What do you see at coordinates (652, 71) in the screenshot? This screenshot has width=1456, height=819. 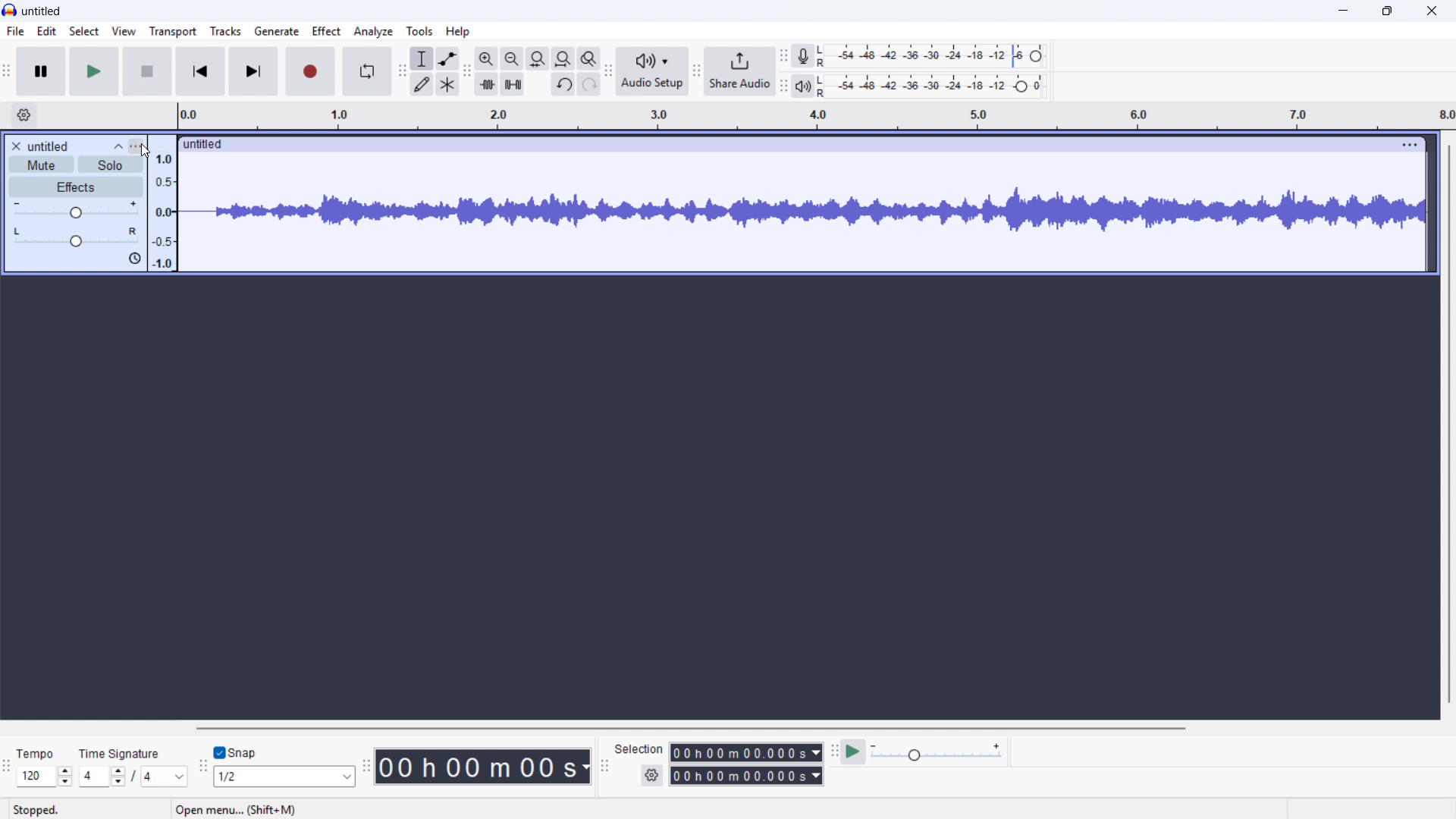 I see `Audio setup ` at bounding box center [652, 71].